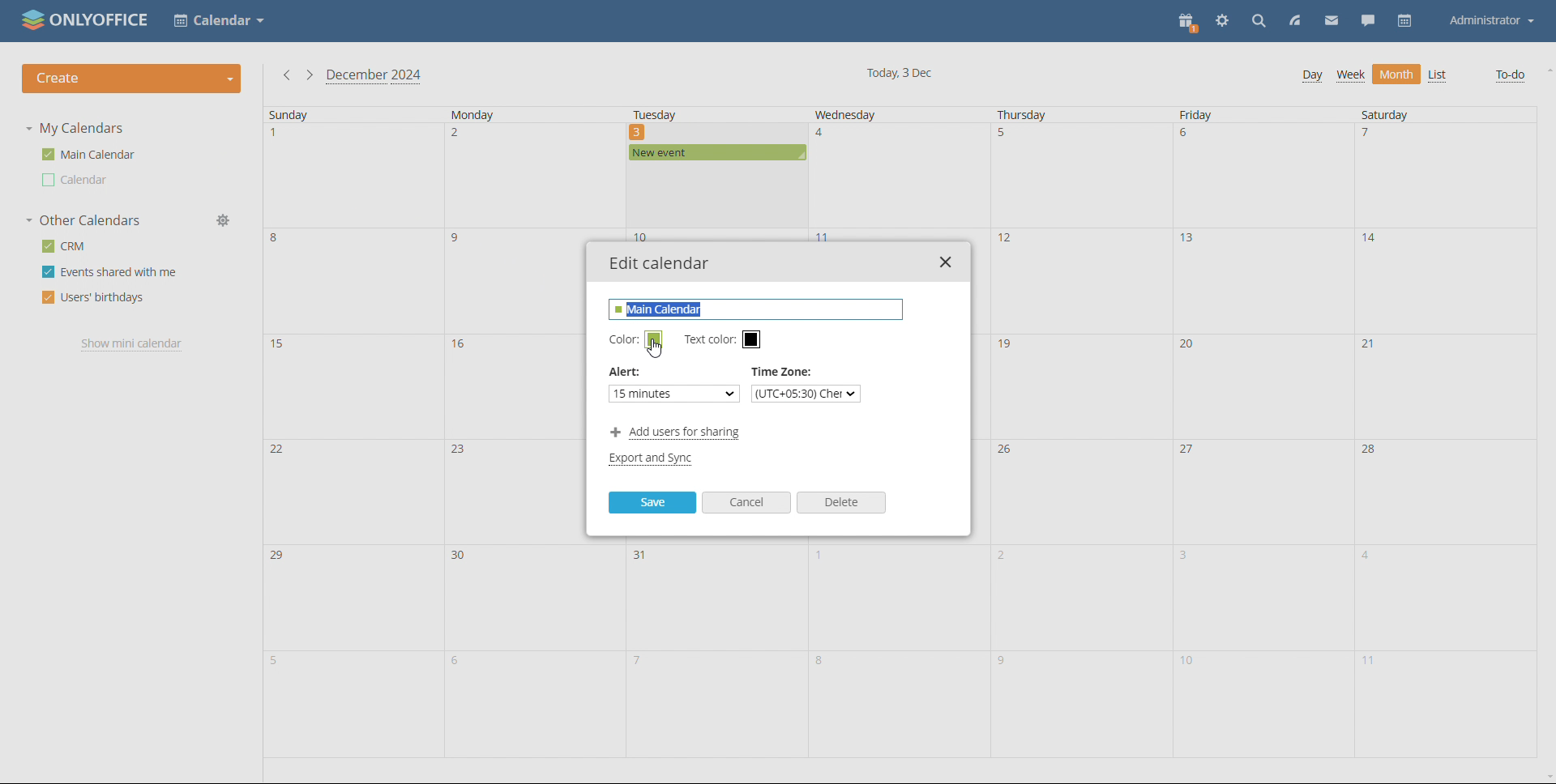 The width and height of the screenshot is (1556, 784). I want to click on date, so click(712, 704).